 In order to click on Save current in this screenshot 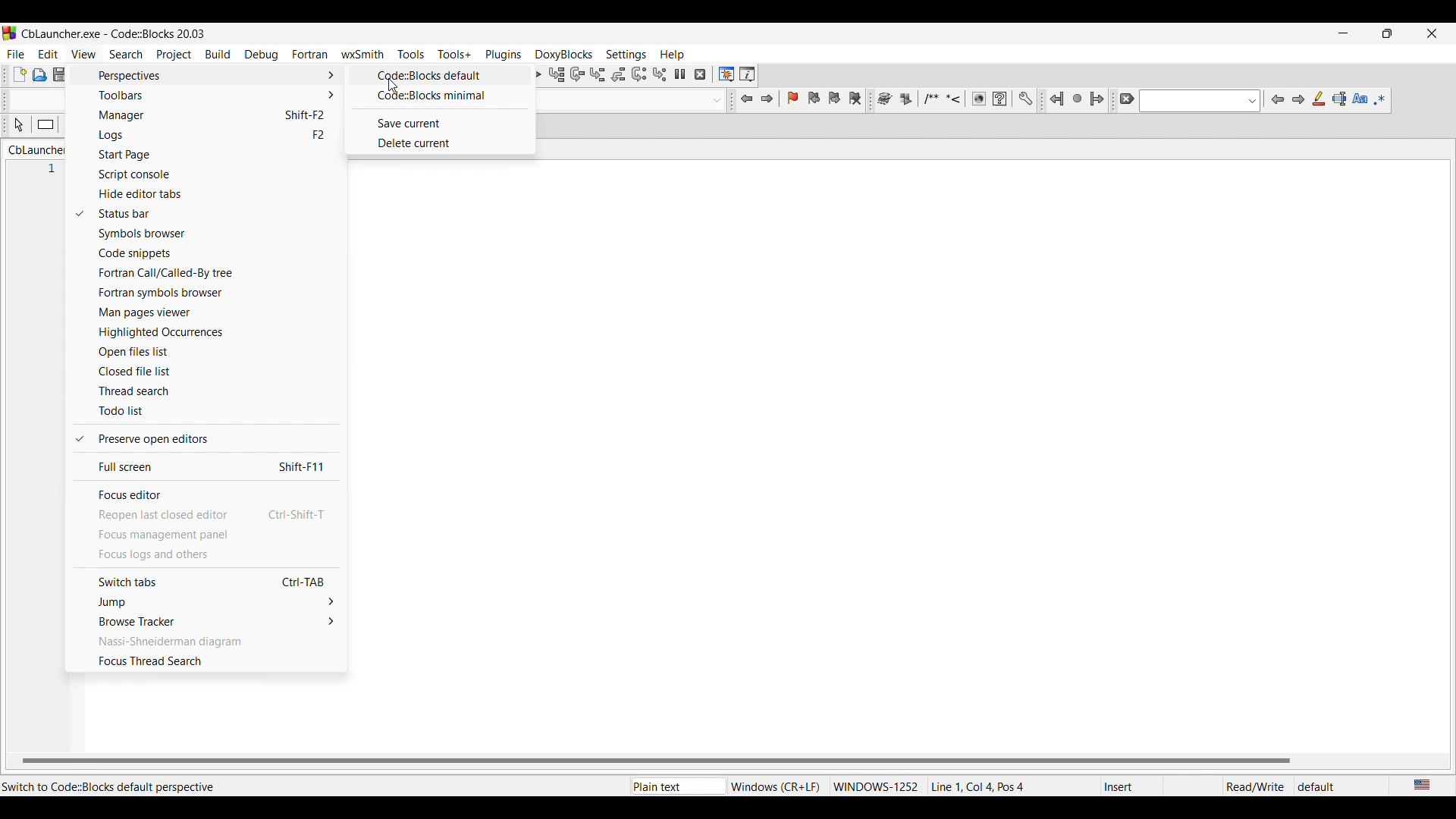, I will do `click(444, 124)`.